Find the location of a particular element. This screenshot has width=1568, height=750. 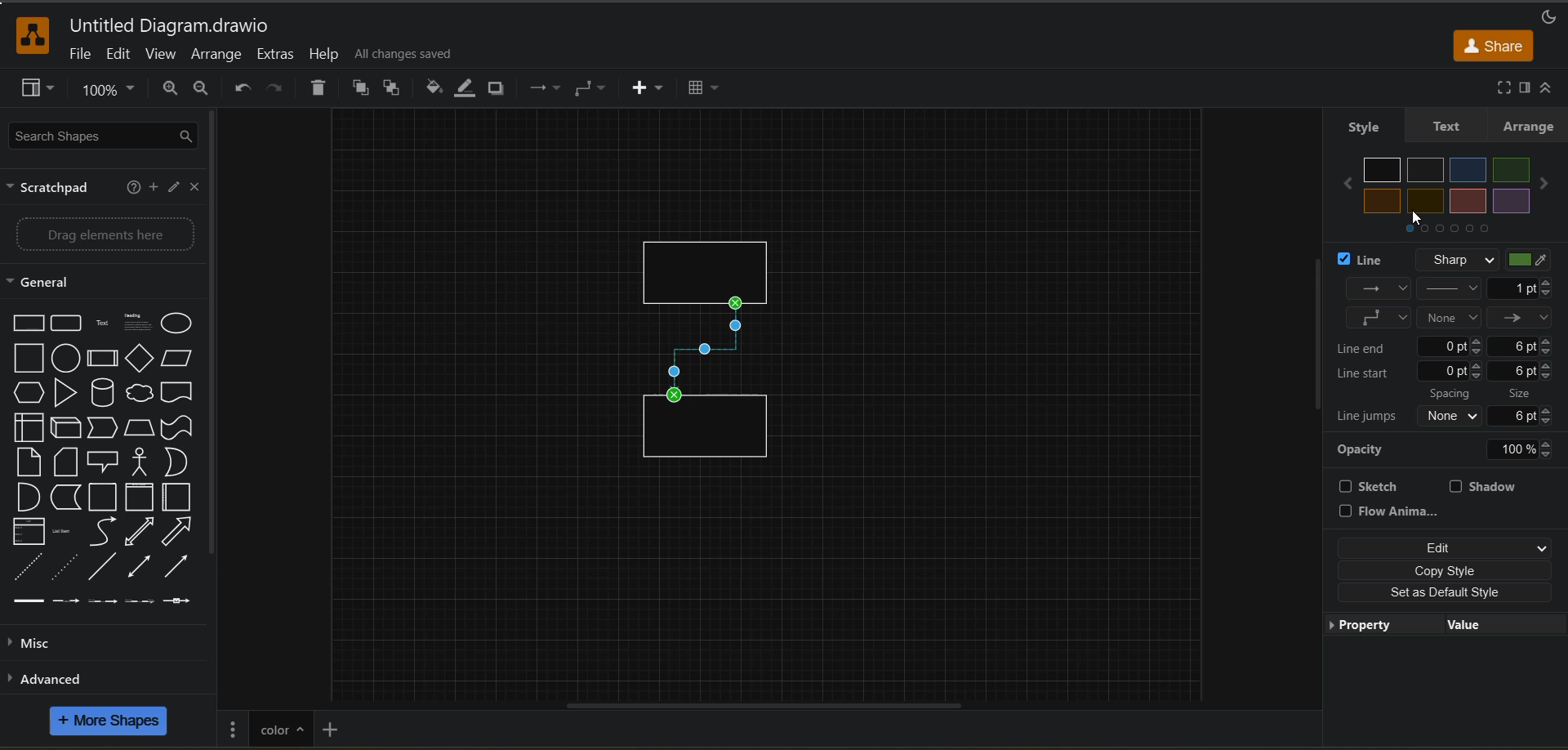

Process is located at coordinates (104, 359).